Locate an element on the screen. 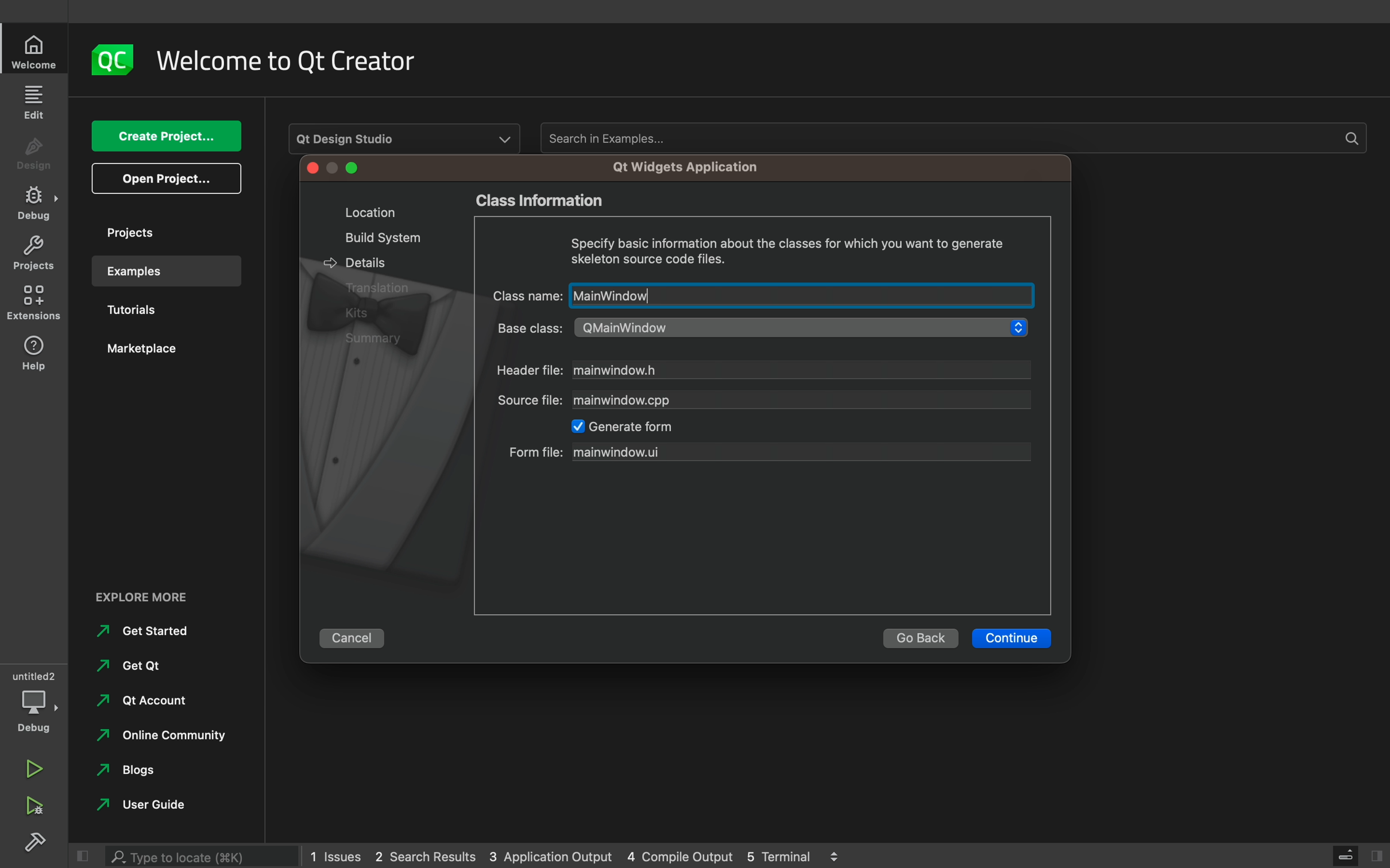 Image resolution: width=1390 pixels, height=868 pixels. help is located at coordinates (34, 352).